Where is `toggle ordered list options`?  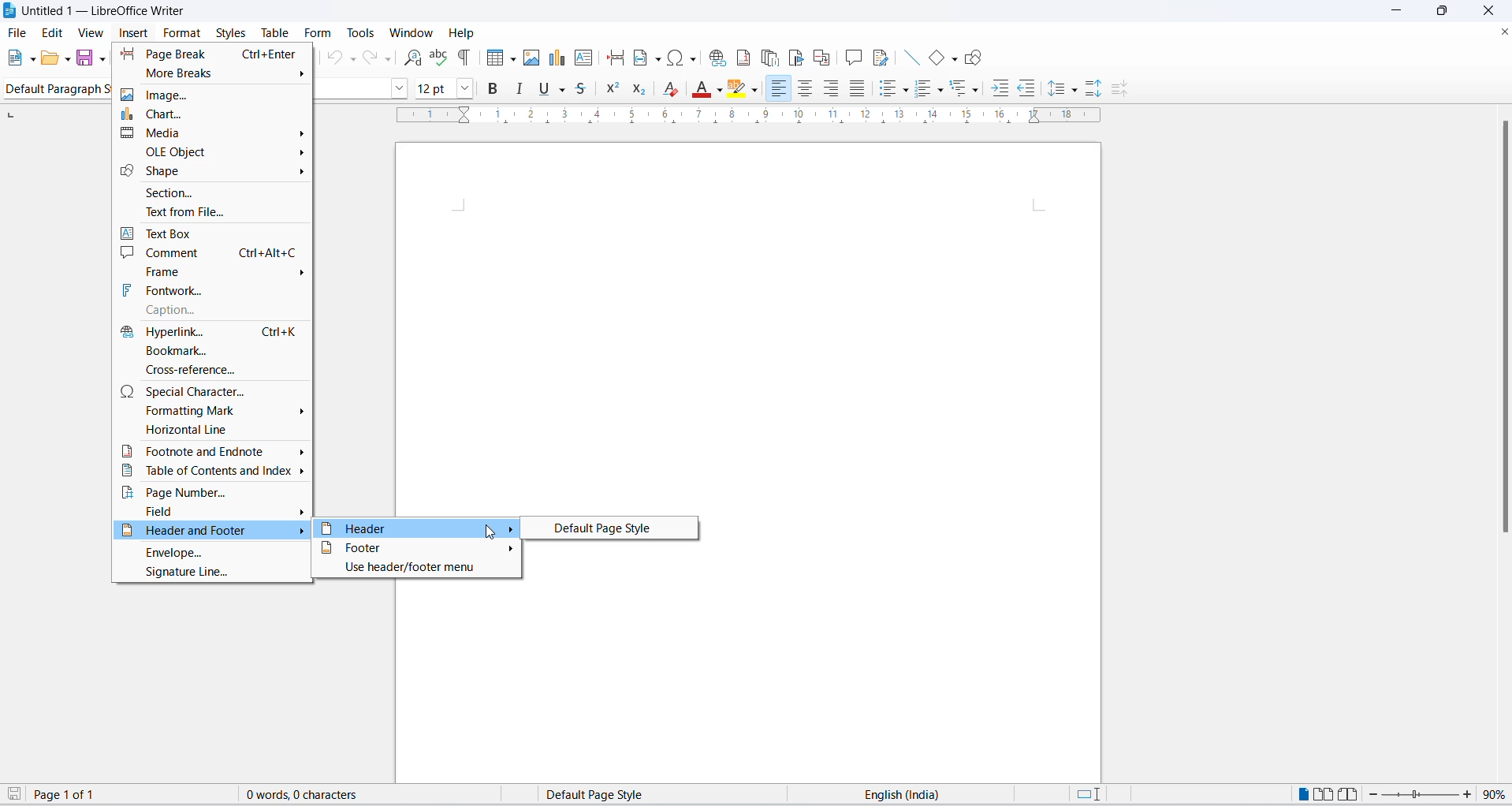
toggle ordered list options is located at coordinates (923, 90).